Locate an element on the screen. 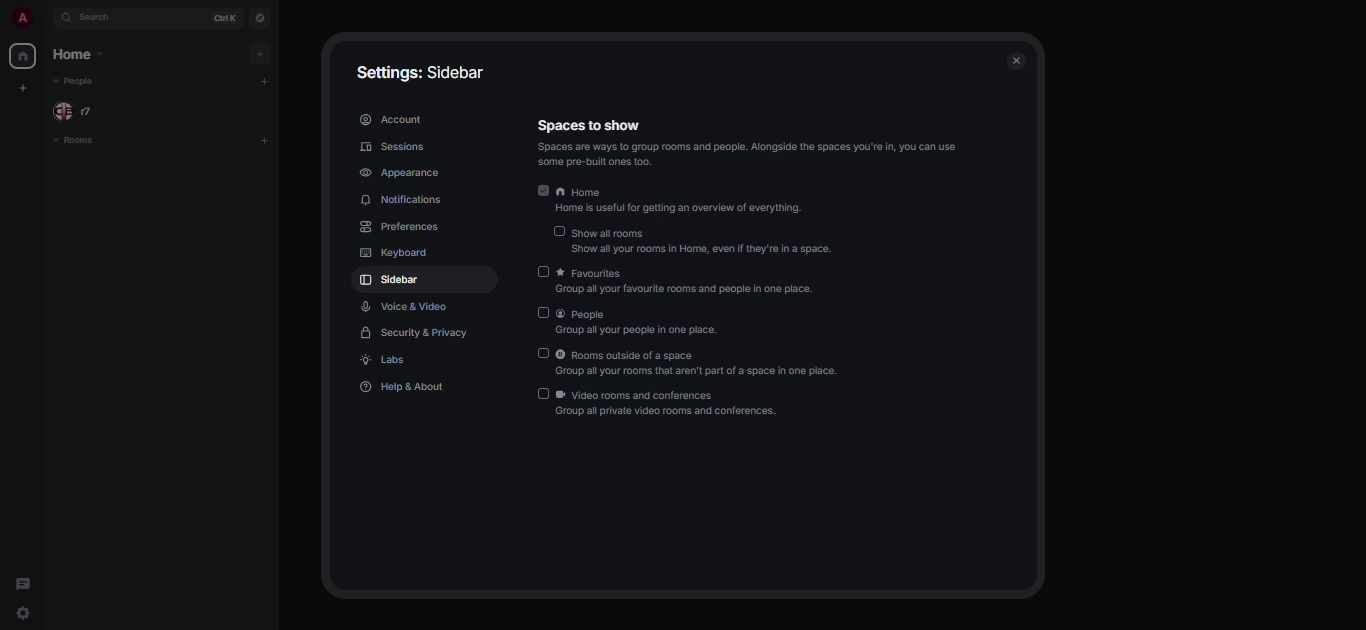  disabled is located at coordinates (558, 231).